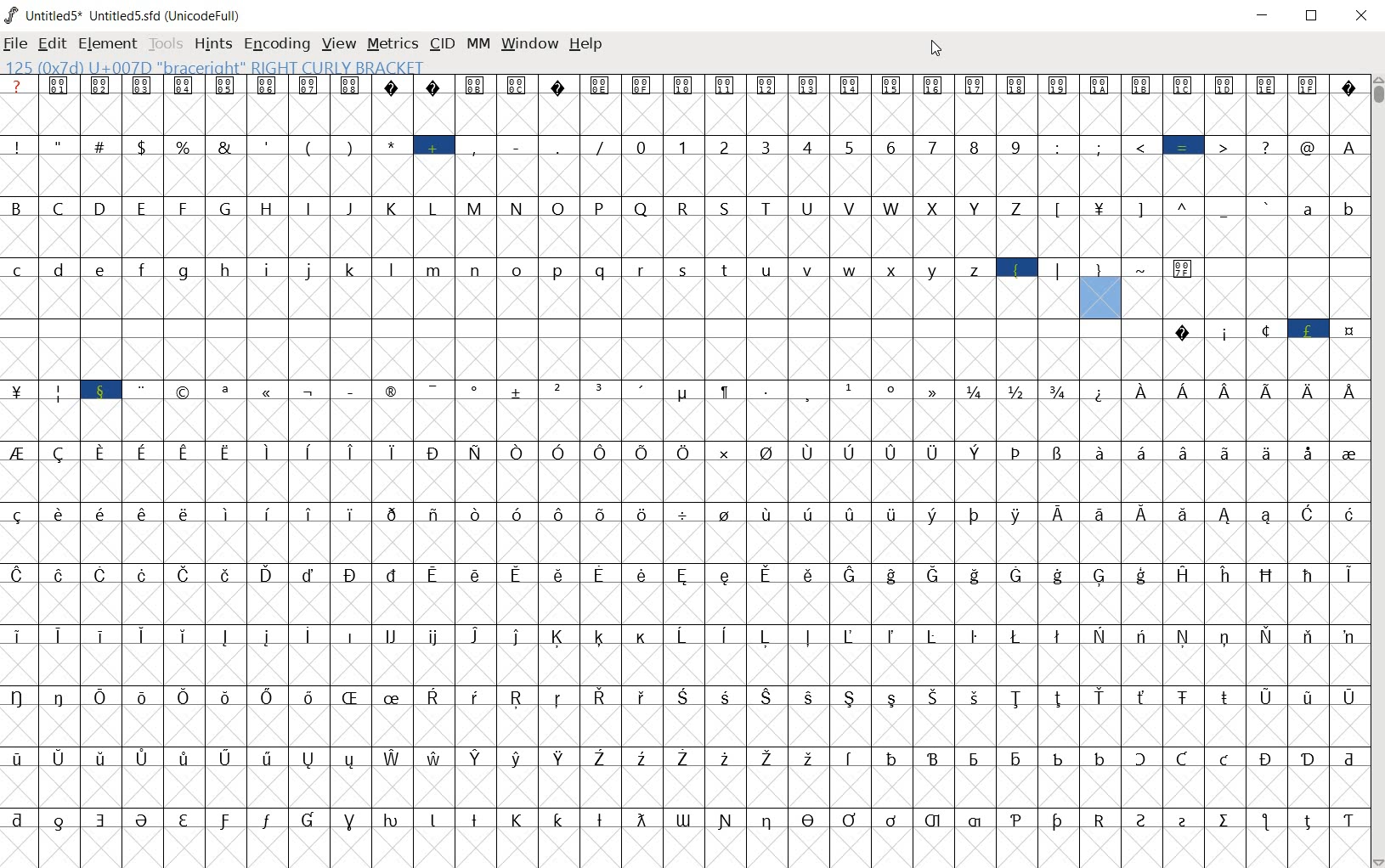 The image size is (1385, 868). I want to click on ENCODING, so click(276, 44).